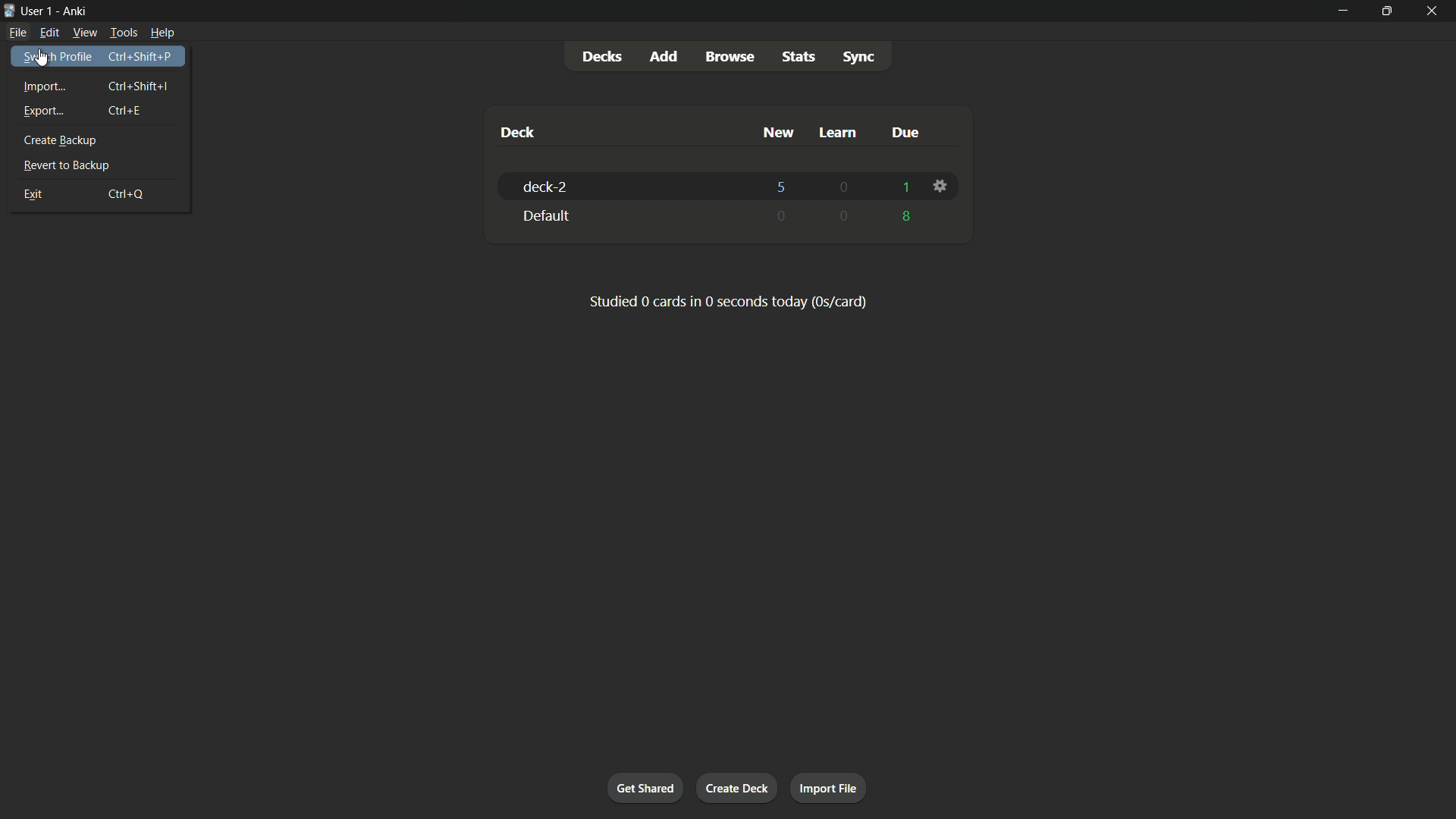  I want to click on 0, so click(844, 216).